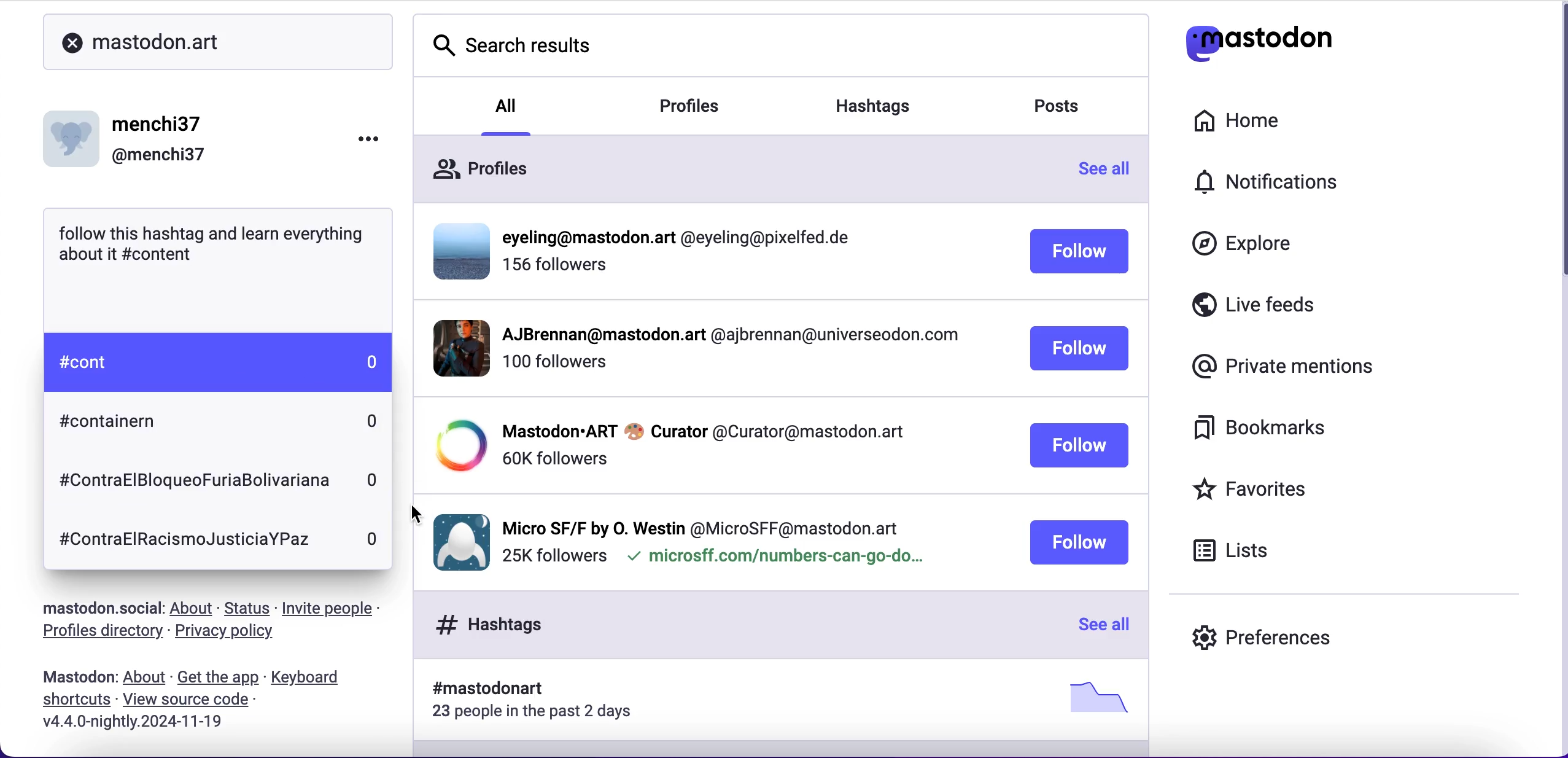 The image size is (1568, 758). What do you see at coordinates (166, 726) in the screenshot?
I see `2024-11-19` at bounding box center [166, 726].